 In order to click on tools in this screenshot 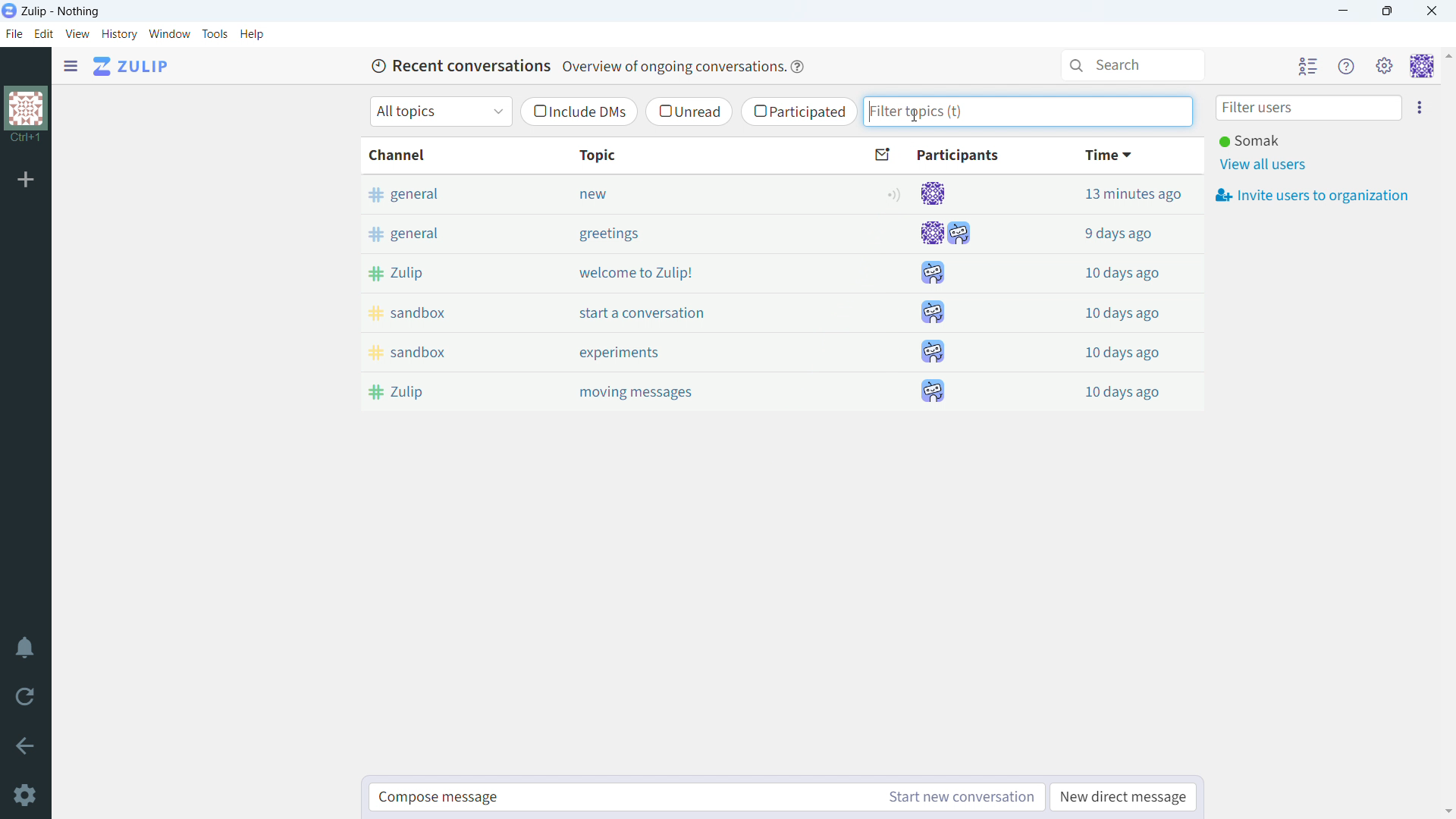, I will do `click(215, 34)`.